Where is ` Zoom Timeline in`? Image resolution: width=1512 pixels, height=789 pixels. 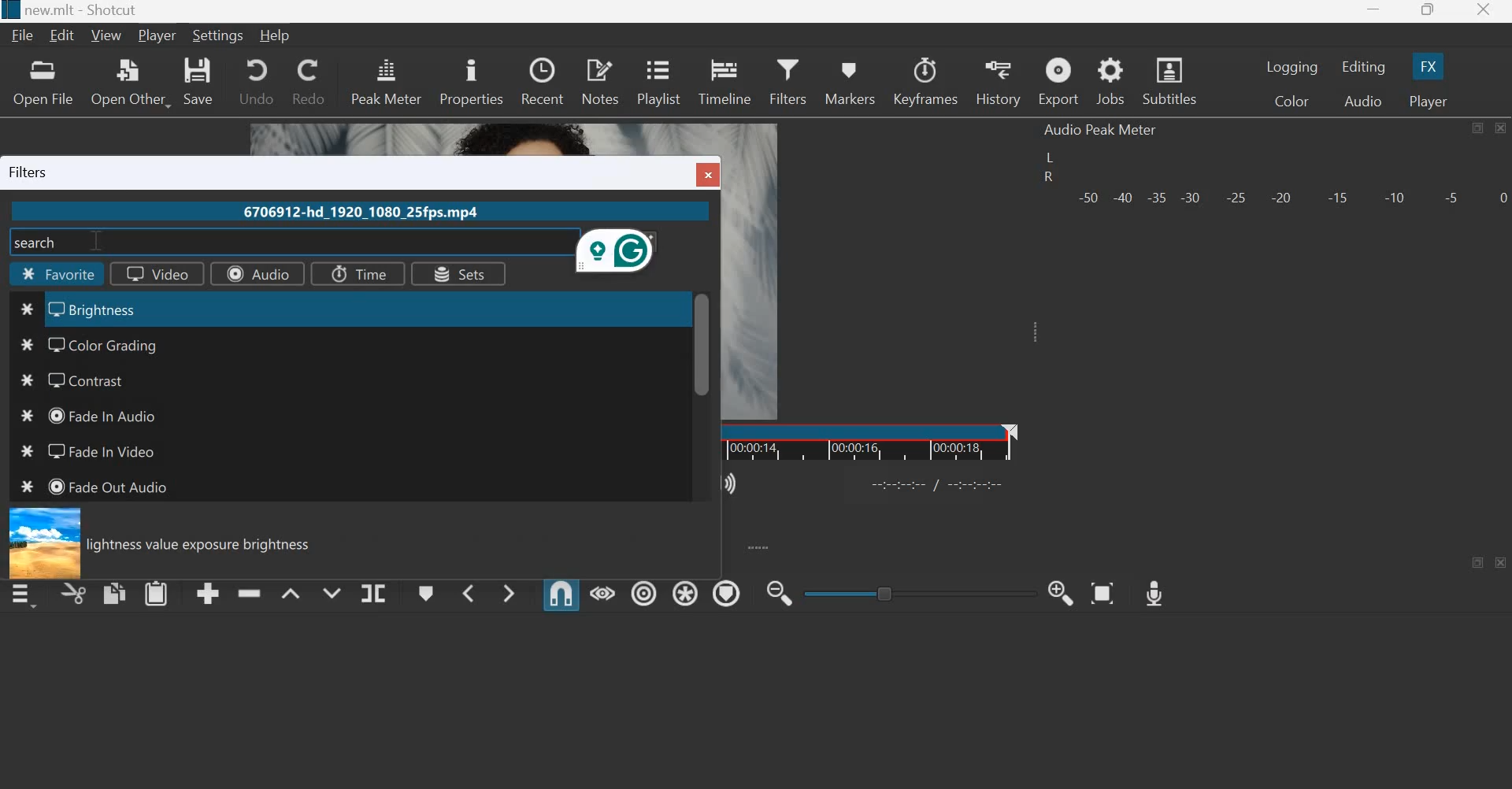
 Zoom Timeline in is located at coordinates (1060, 591).